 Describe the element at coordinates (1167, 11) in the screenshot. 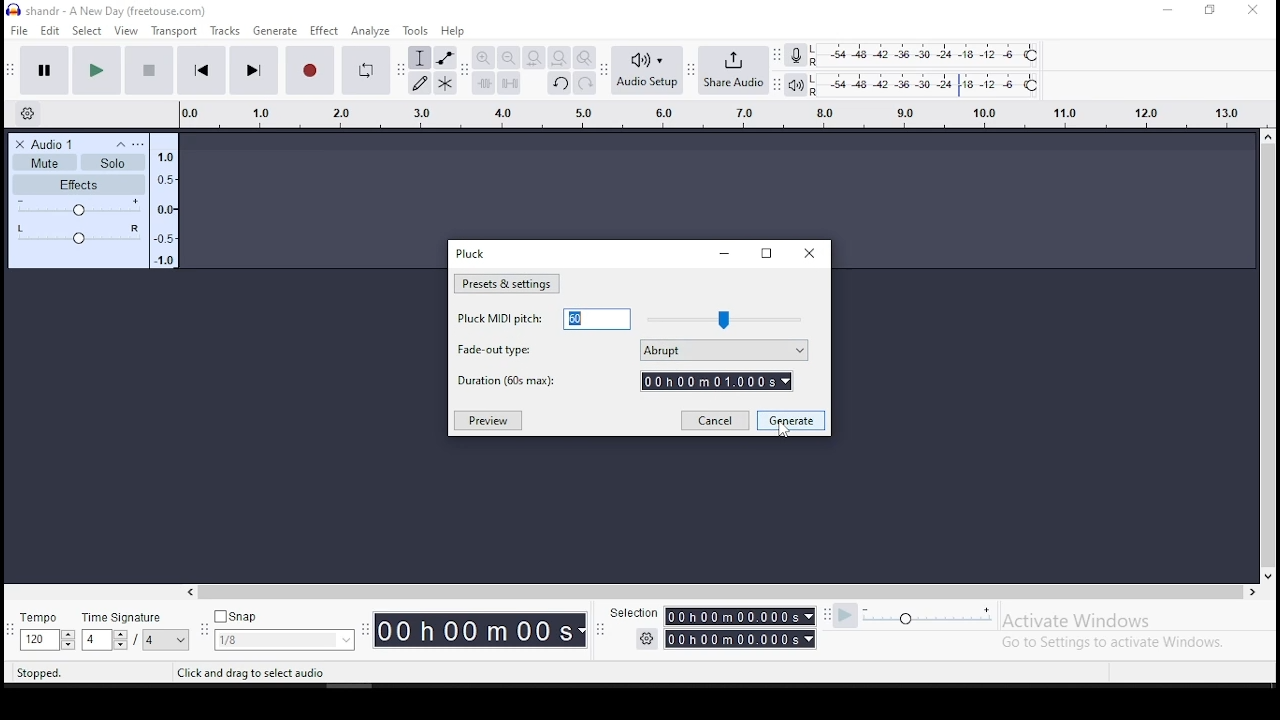

I see `minimize` at that location.